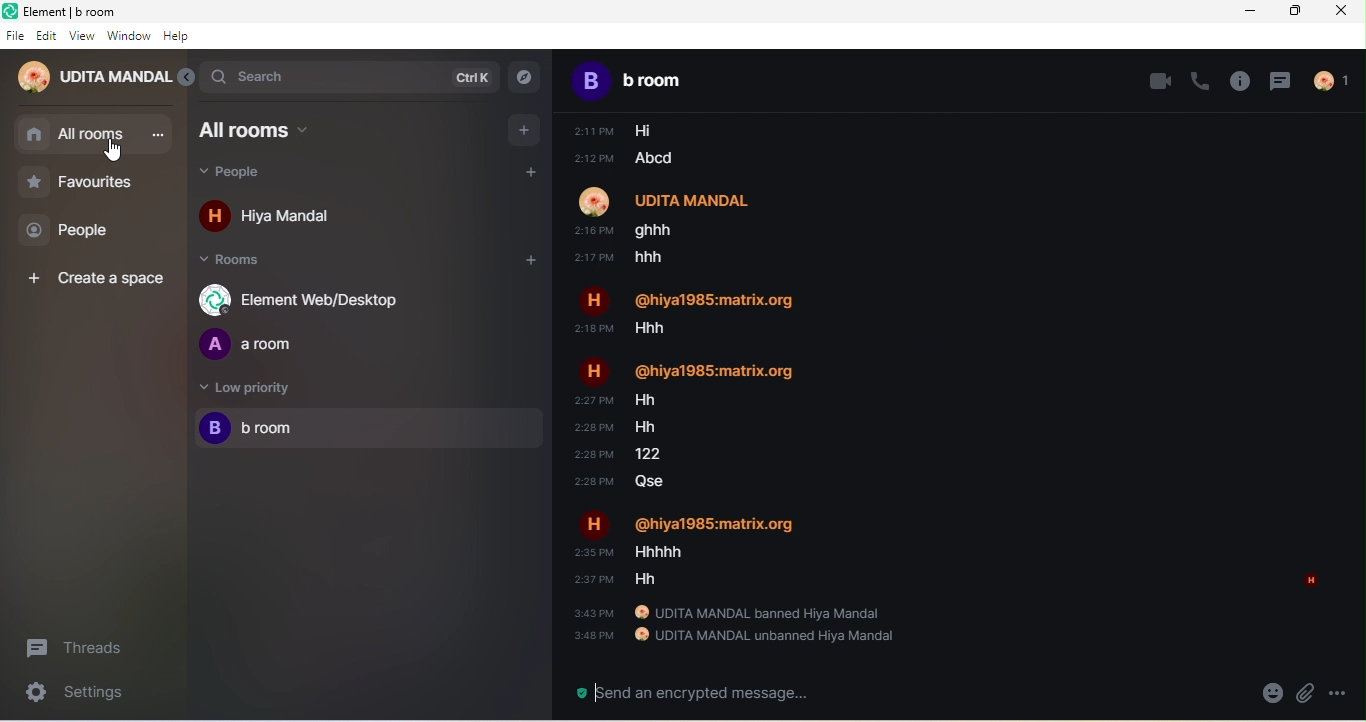 This screenshot has height=722, width=1366. What do you see at coordinates (78, 231) in the screenshot?
I see `people` at bounding box center [78, 231].